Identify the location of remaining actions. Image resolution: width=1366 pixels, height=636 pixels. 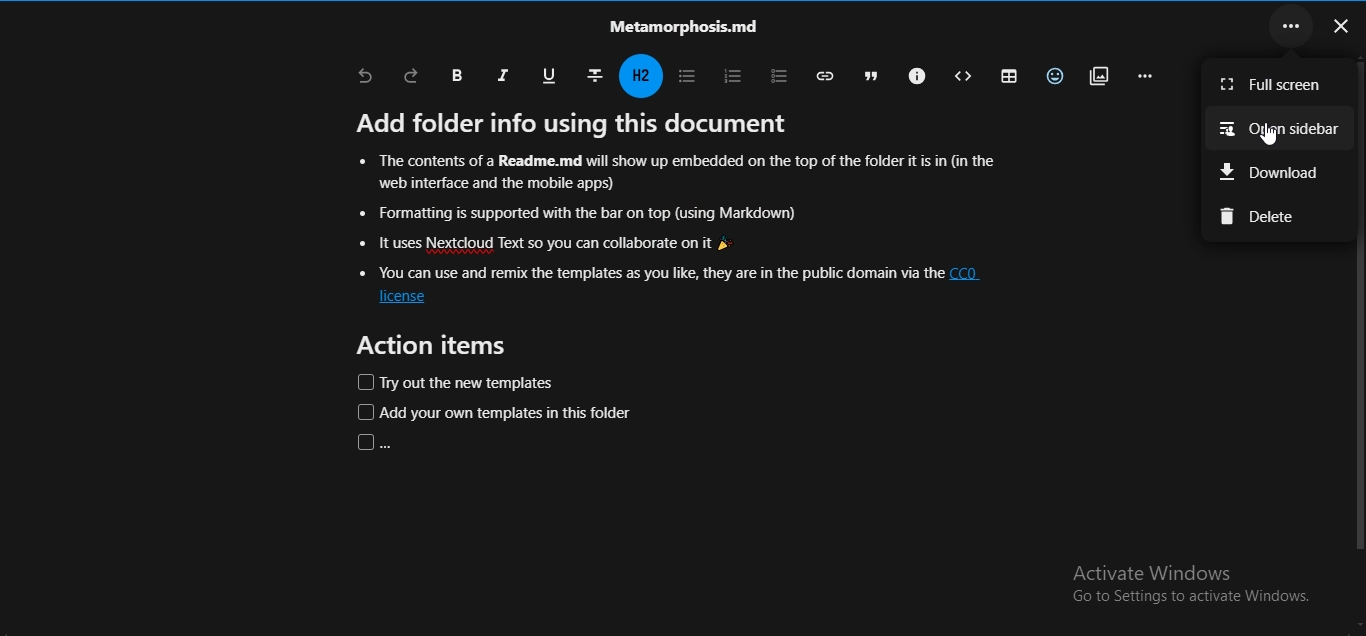
(1148, 77).